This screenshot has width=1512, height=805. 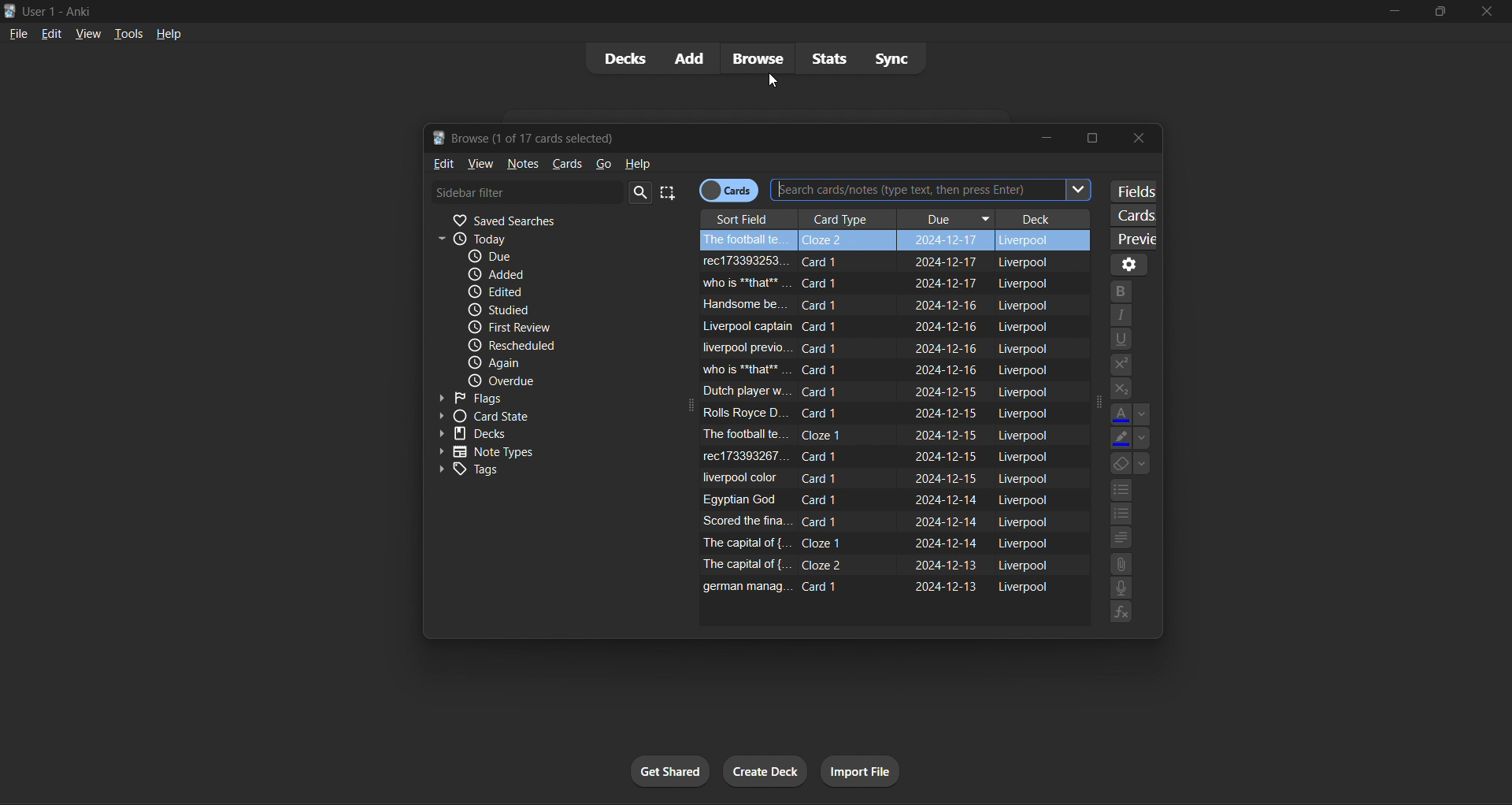 I want to click on liverpool, so click(x=1028, y=500).